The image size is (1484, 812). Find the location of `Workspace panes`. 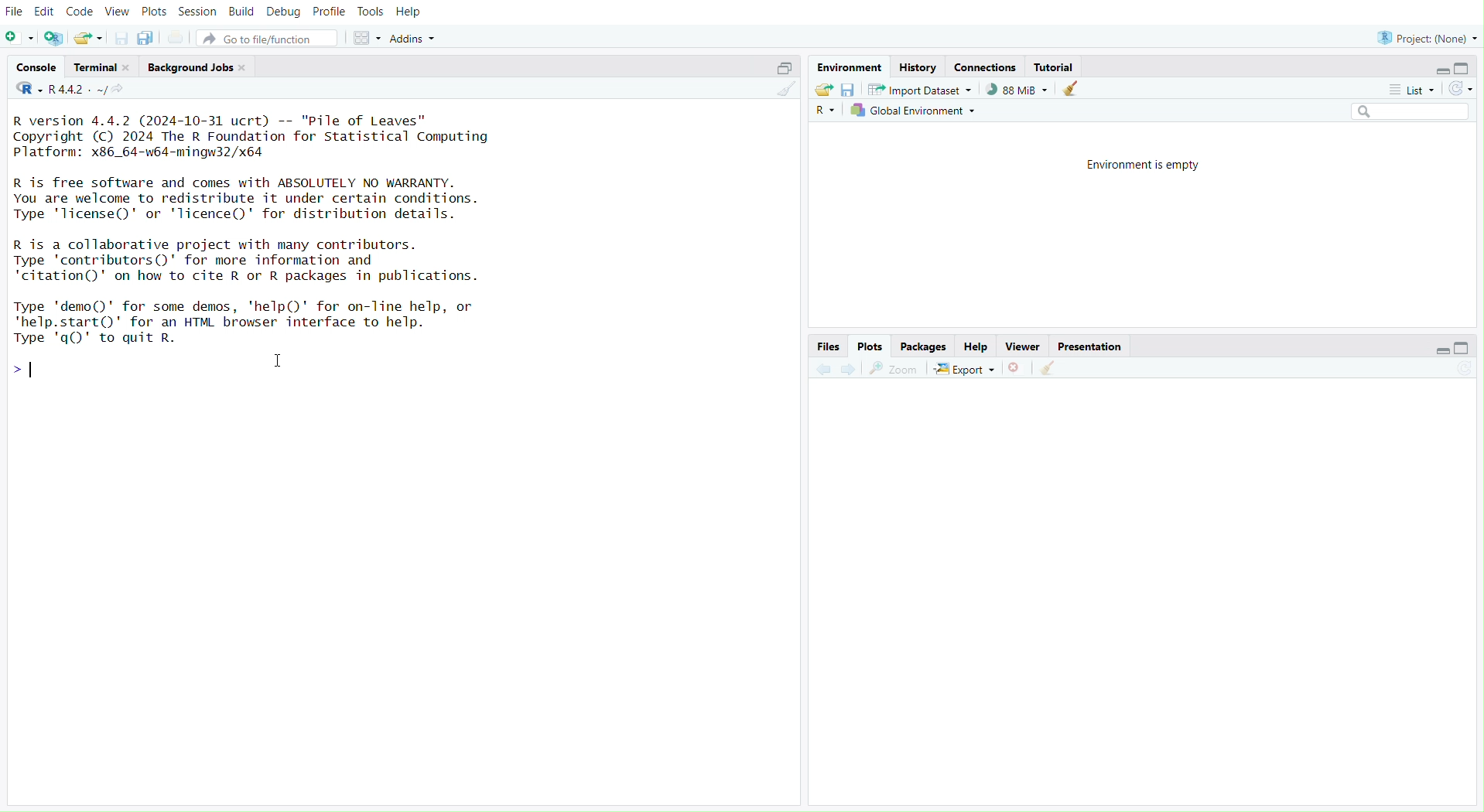

Workspace panes is located at coordinates (364, 39).